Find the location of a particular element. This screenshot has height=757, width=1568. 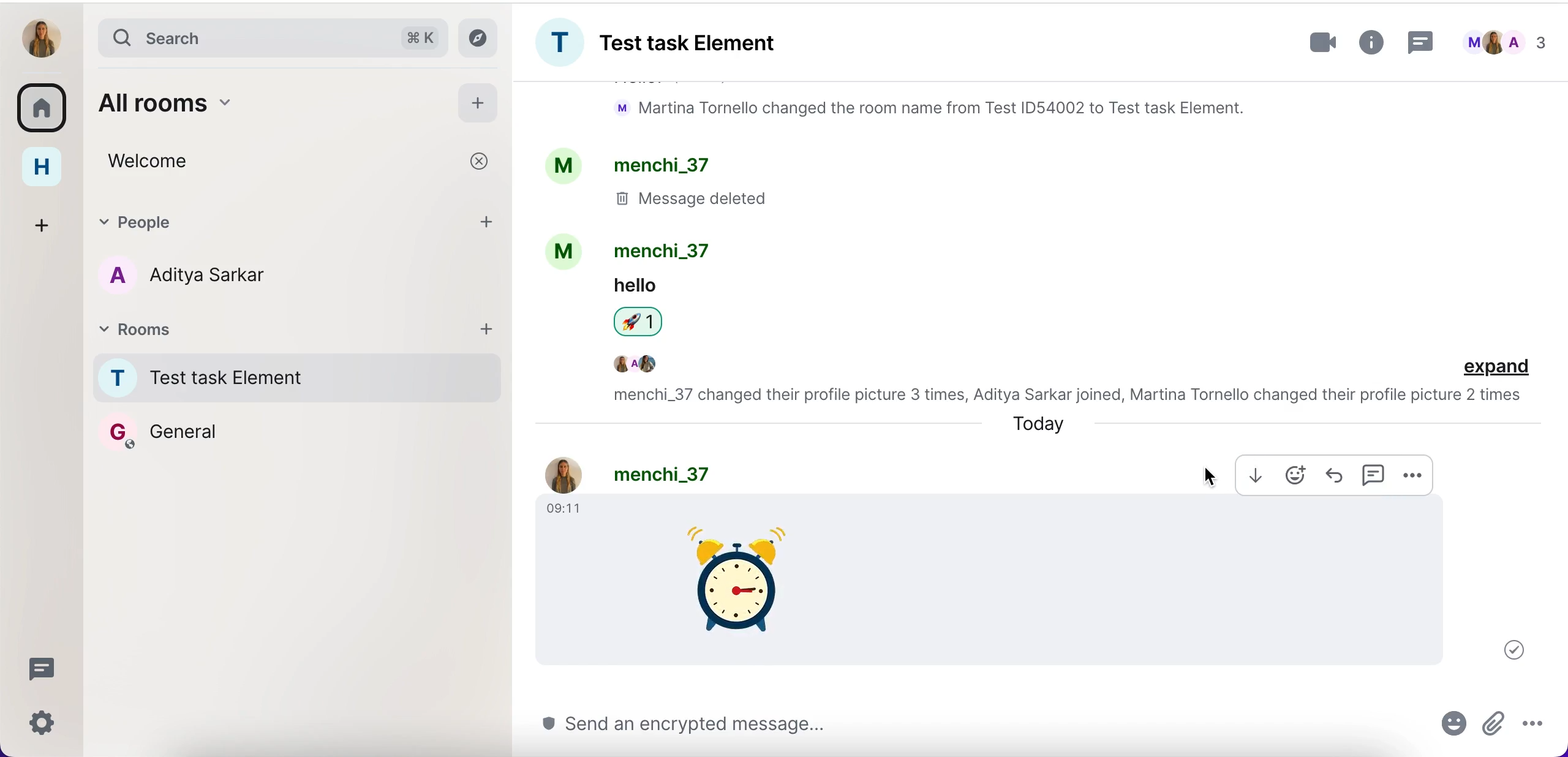

rooms is located at coordinates (268, 333).